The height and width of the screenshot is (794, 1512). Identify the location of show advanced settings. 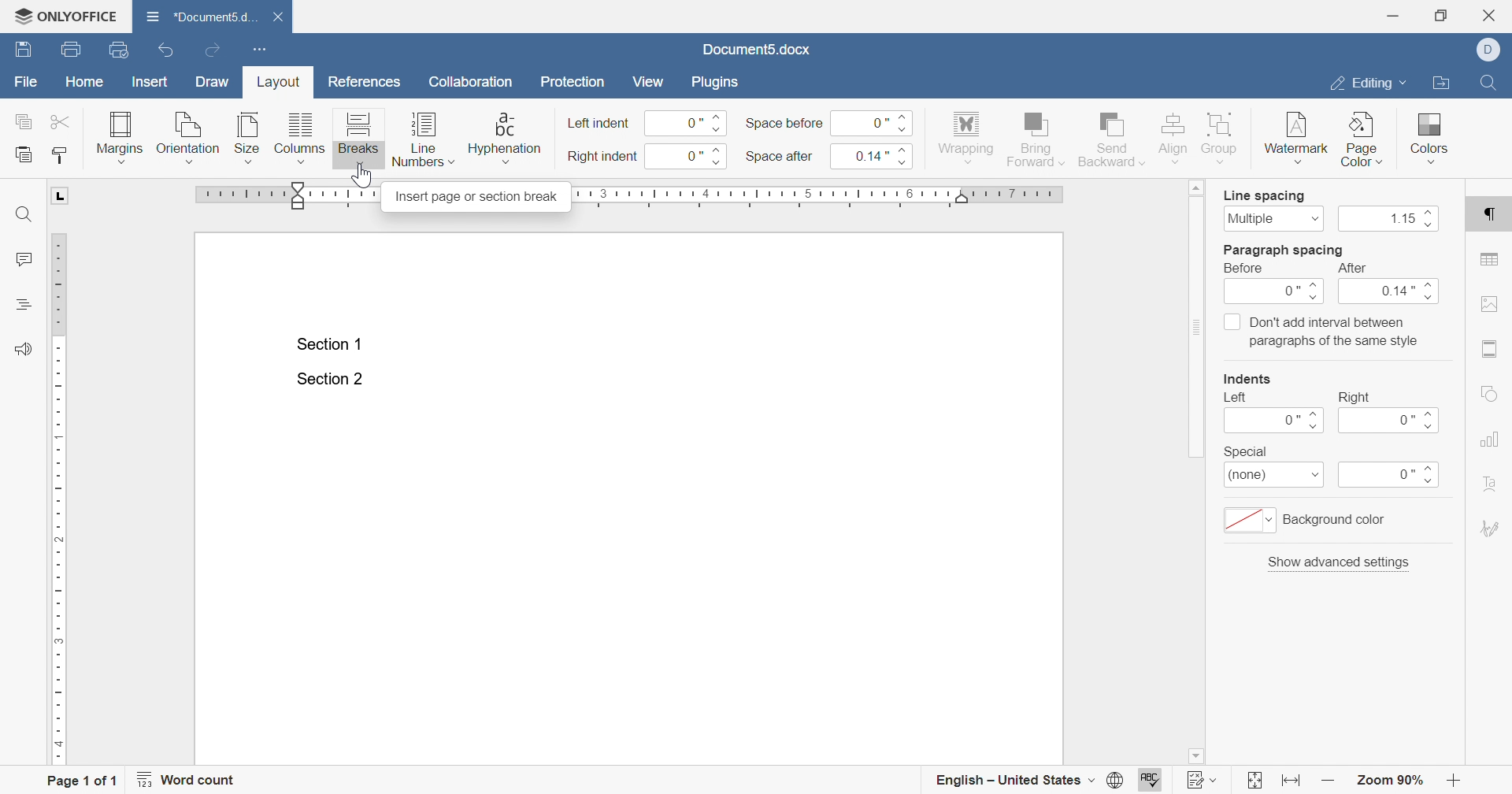
(1340, 562).